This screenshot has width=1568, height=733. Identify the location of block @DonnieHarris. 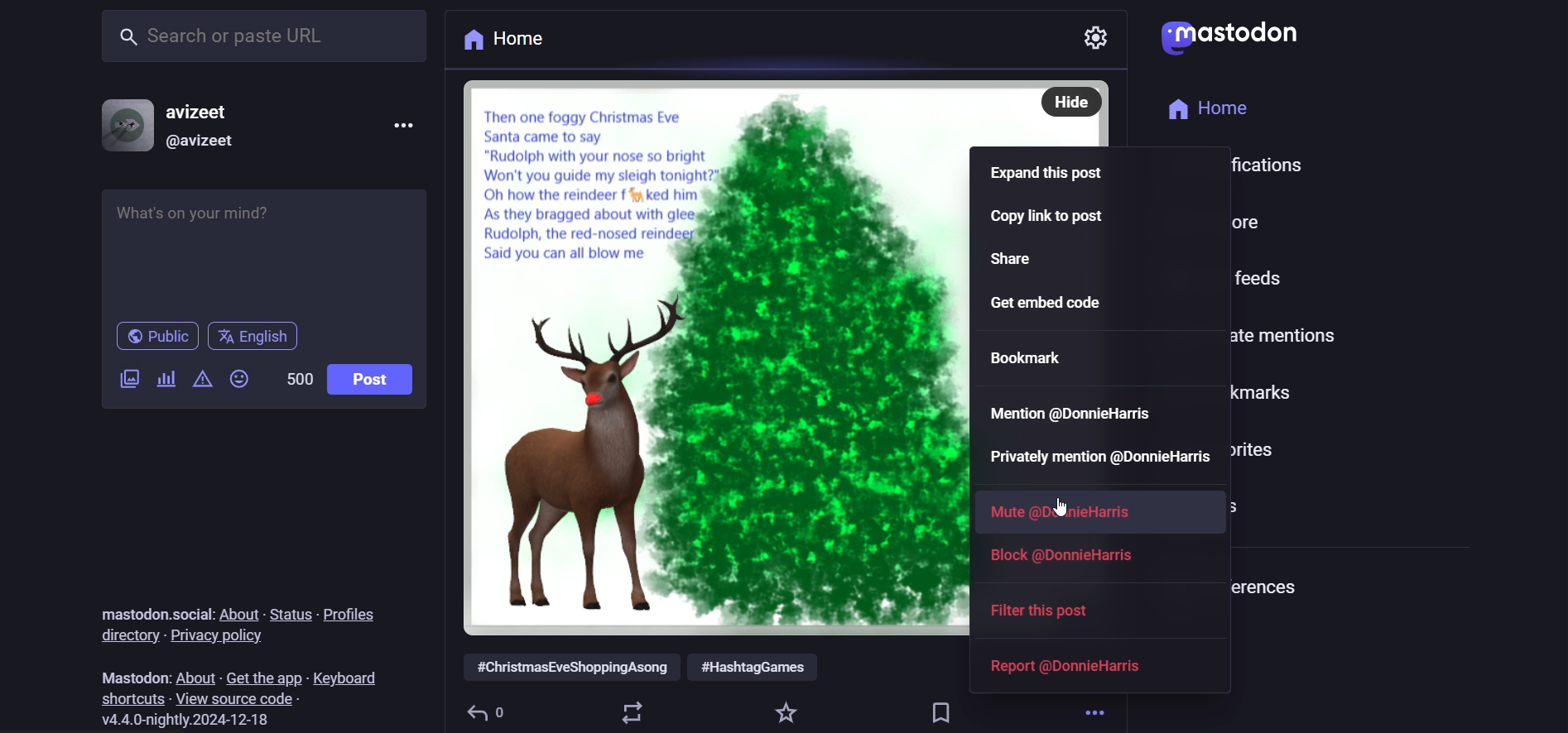
(1066, 554).